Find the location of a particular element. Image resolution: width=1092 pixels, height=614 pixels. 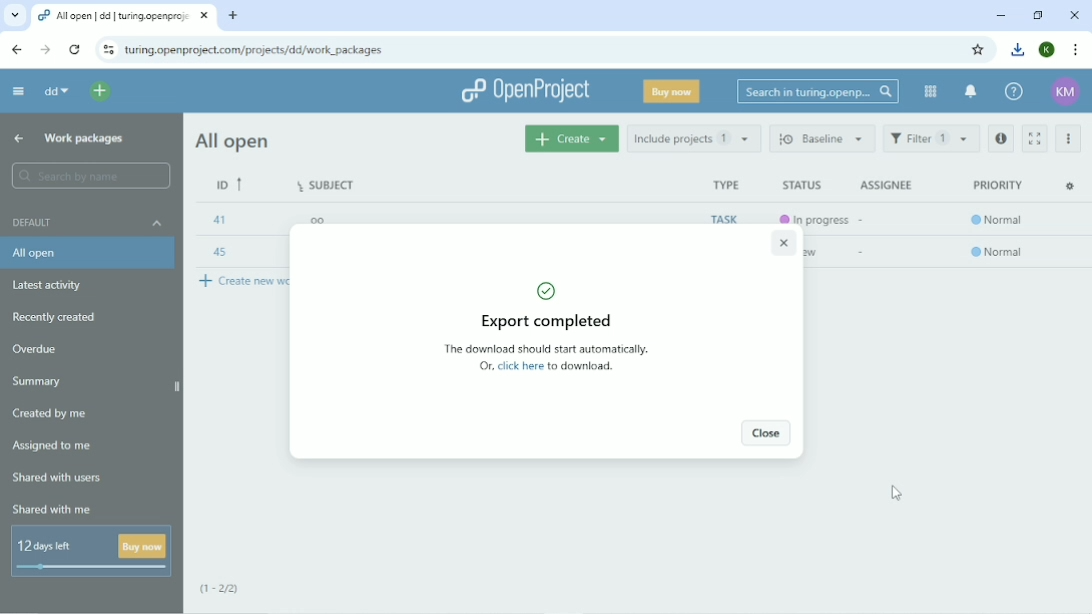

Back is located at coordinates (16, 50).